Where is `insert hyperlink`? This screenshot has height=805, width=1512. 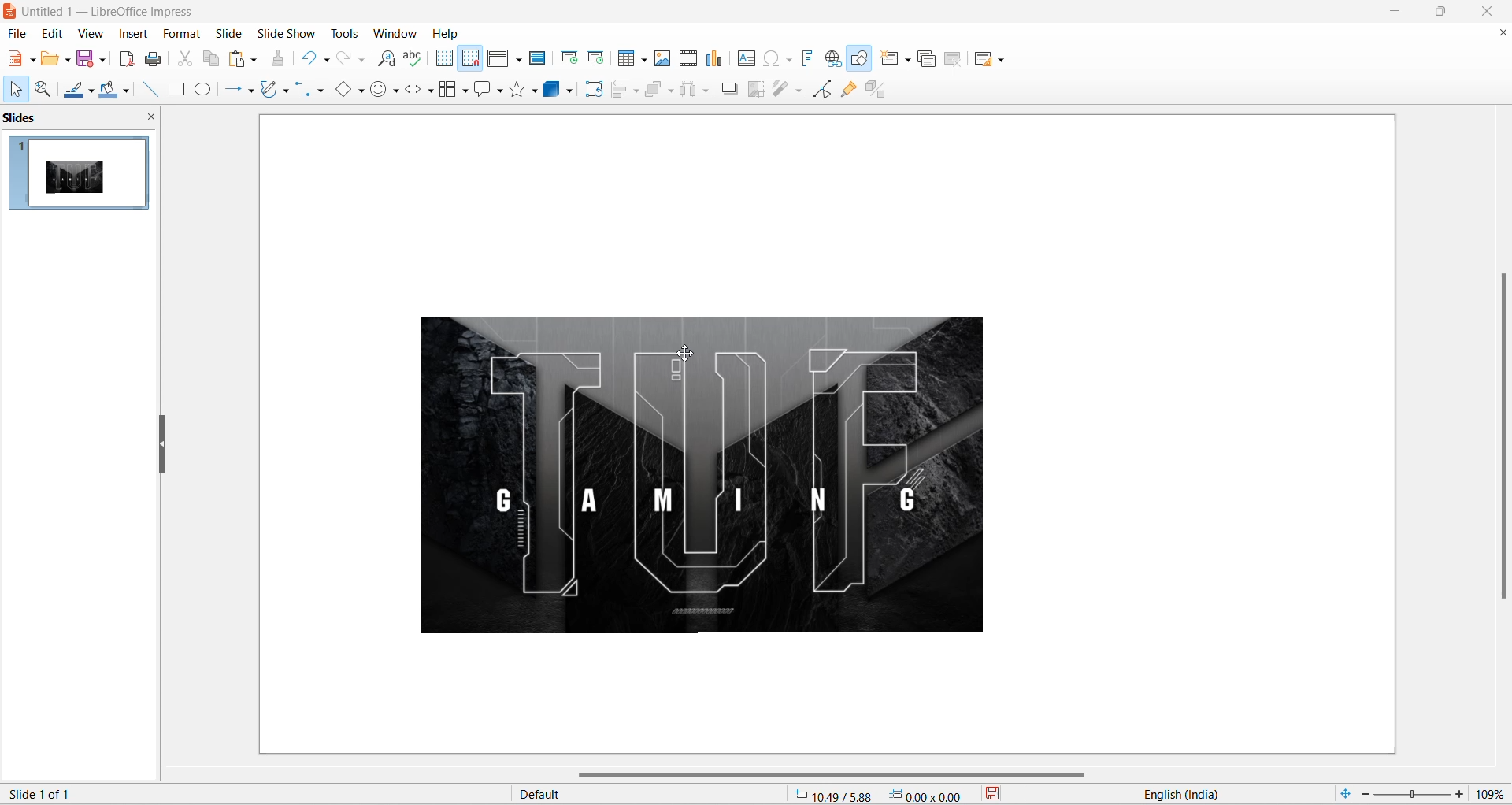 insert hyperlink is located at coordinates (835, 60).